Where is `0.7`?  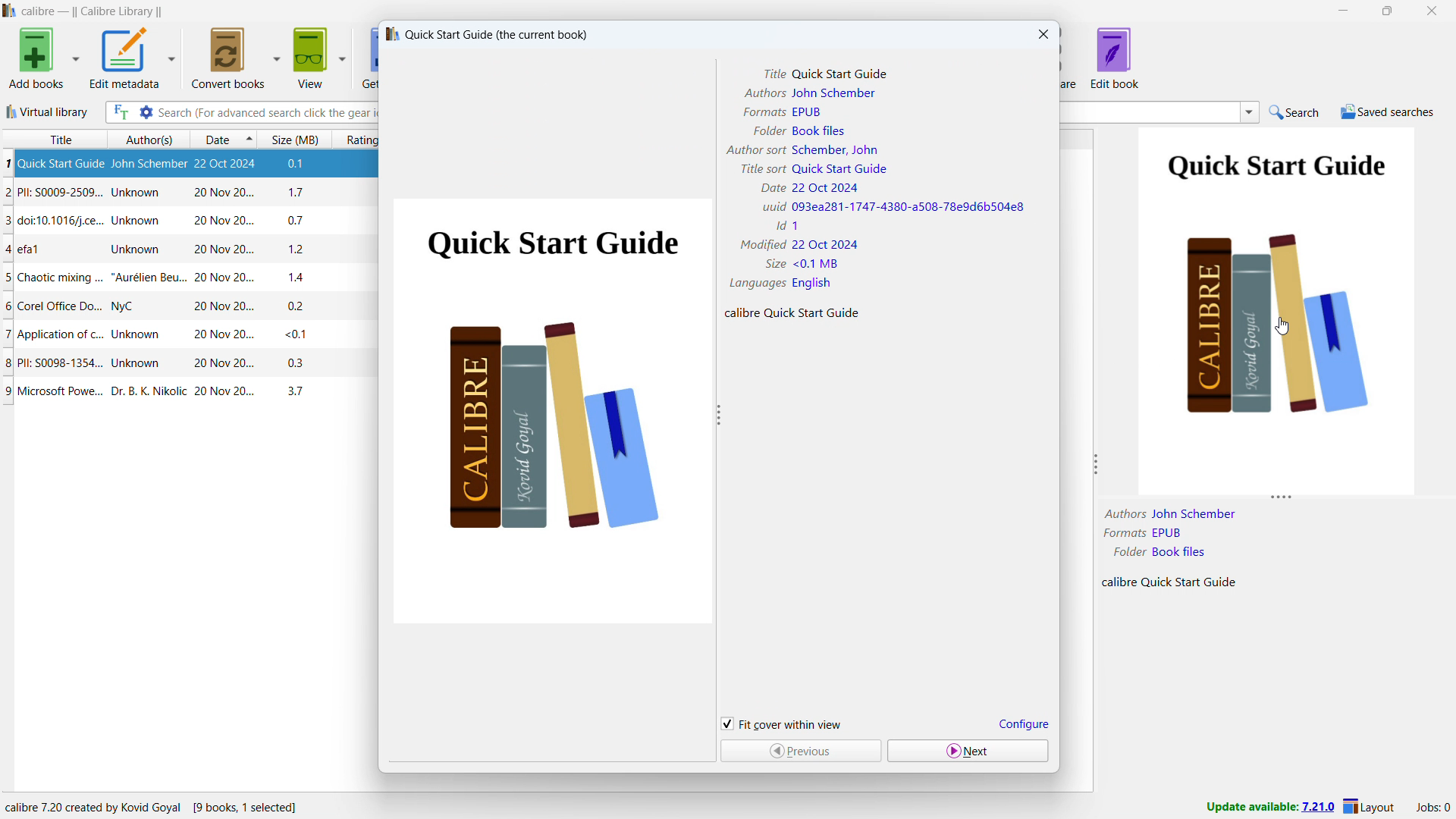 0.7 is located at coordinates (299, 219).